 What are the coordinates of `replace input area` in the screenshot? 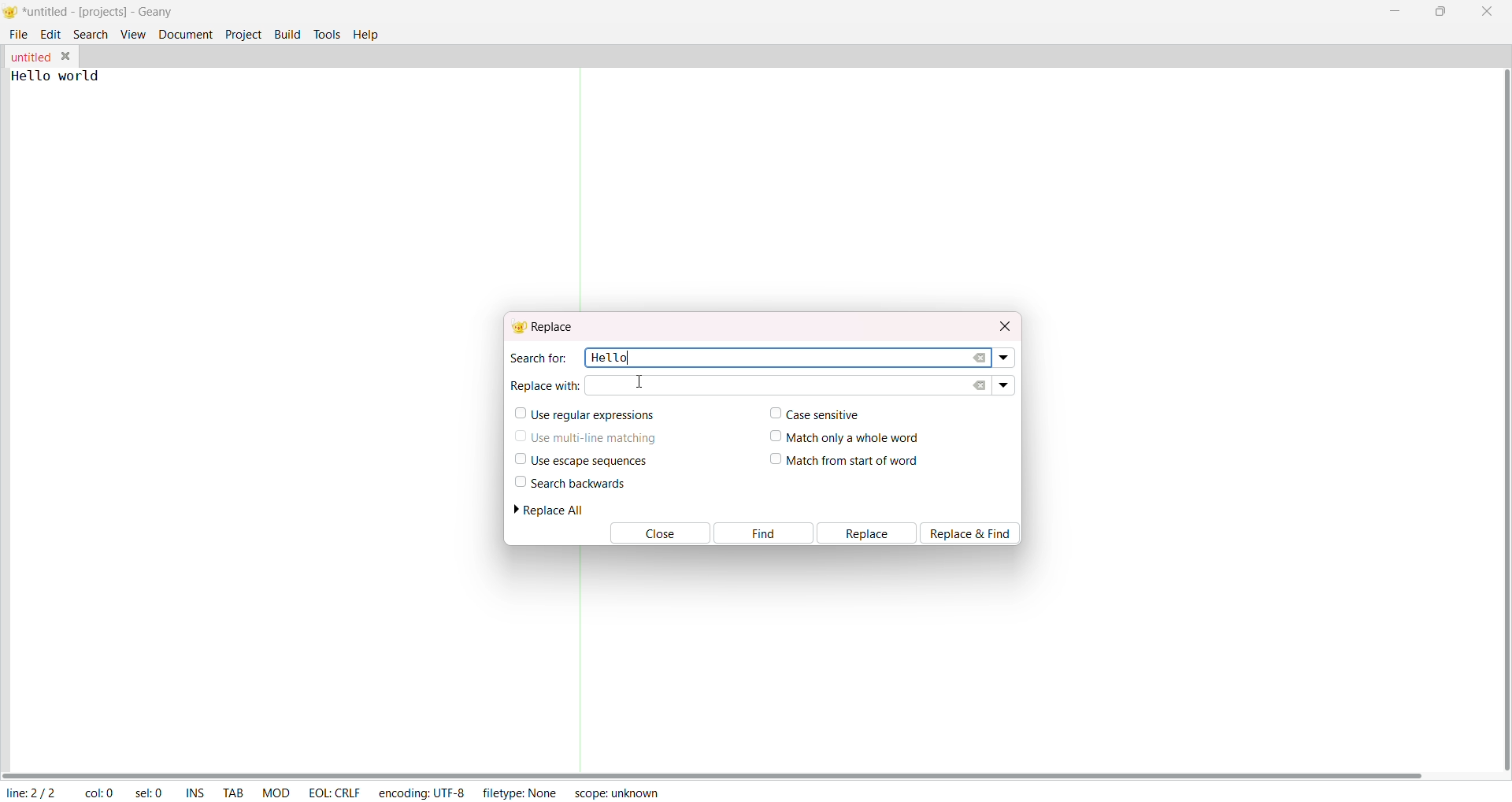 It's located at (756, 385).